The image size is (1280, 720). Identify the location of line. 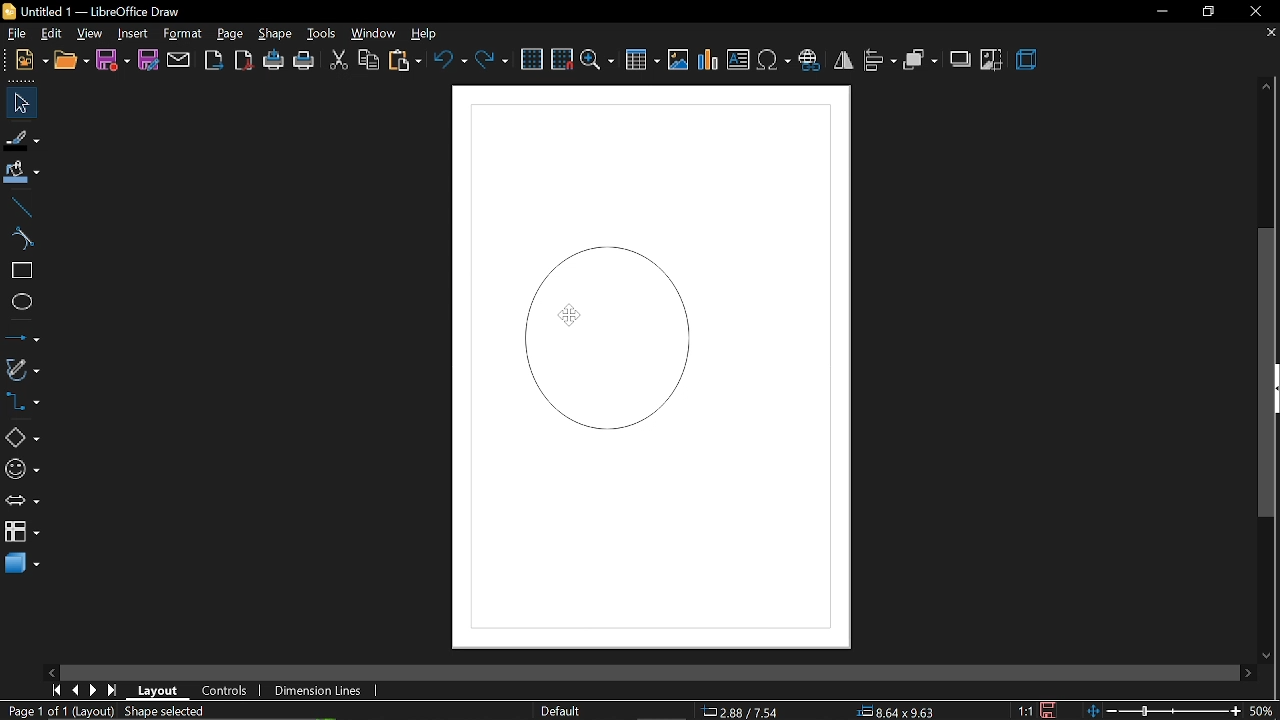
(24, 204).